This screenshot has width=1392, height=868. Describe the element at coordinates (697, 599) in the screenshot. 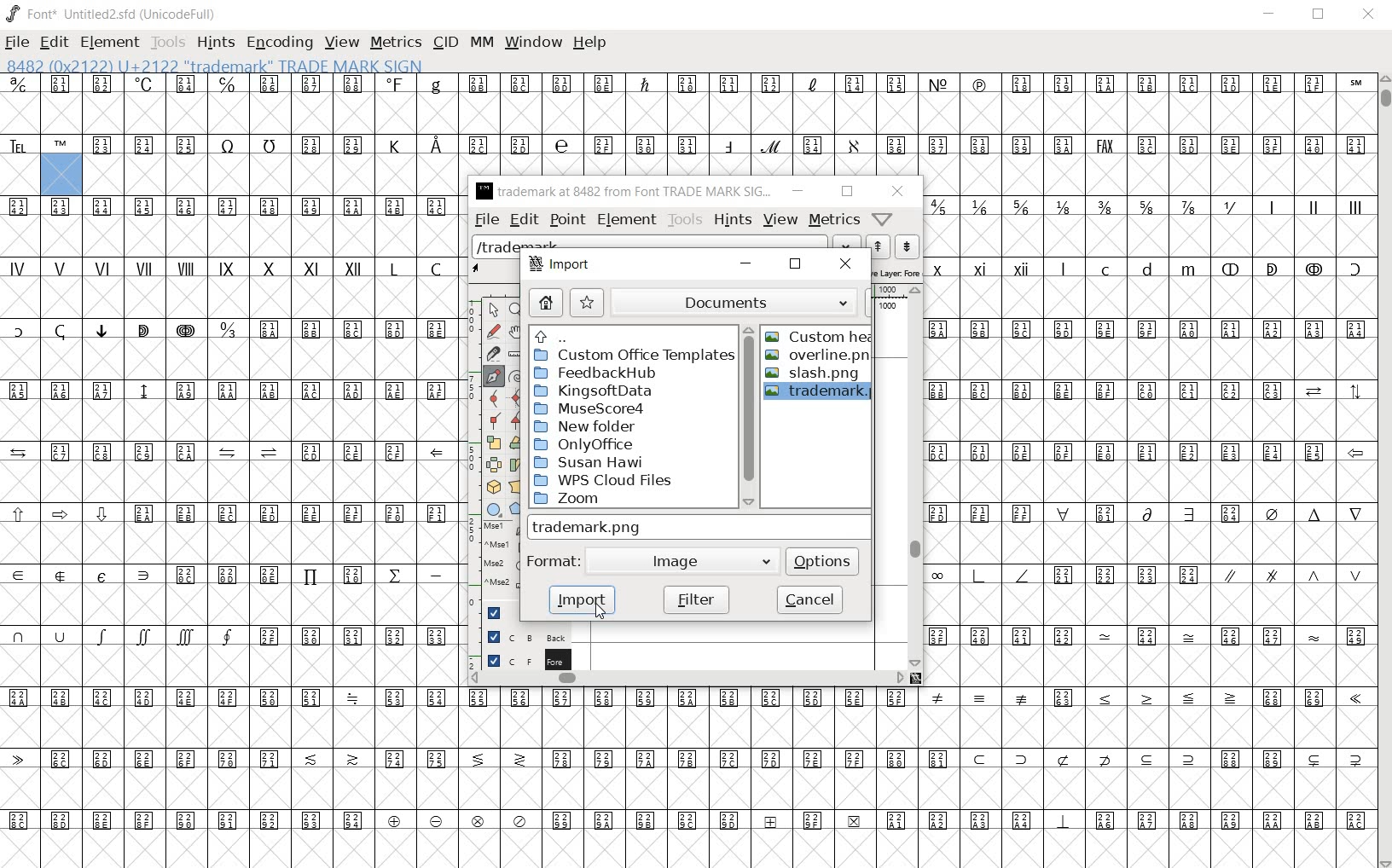

I see `filter` at that location.